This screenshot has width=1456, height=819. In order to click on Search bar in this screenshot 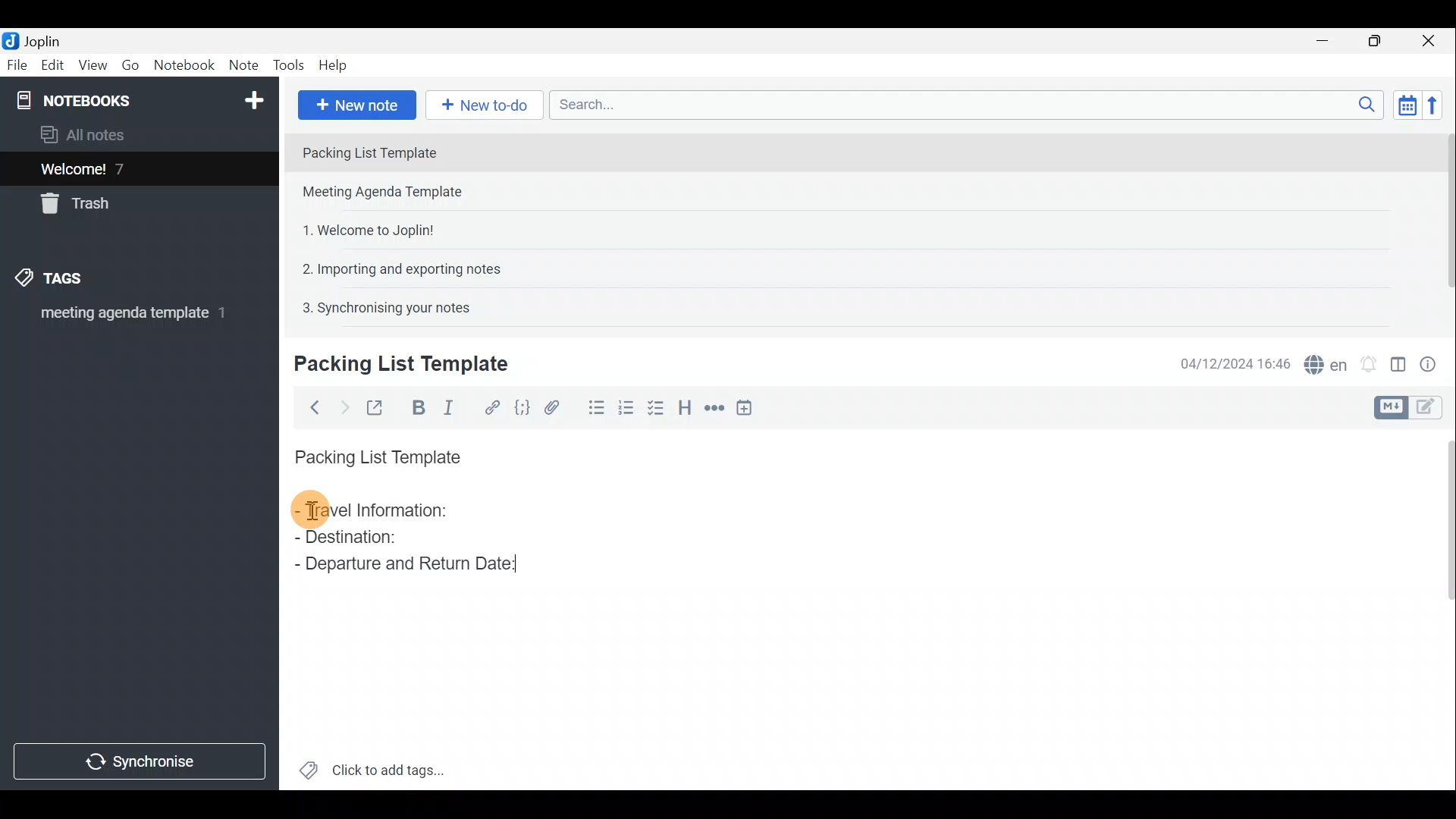, I will do `click(962, 106)`.